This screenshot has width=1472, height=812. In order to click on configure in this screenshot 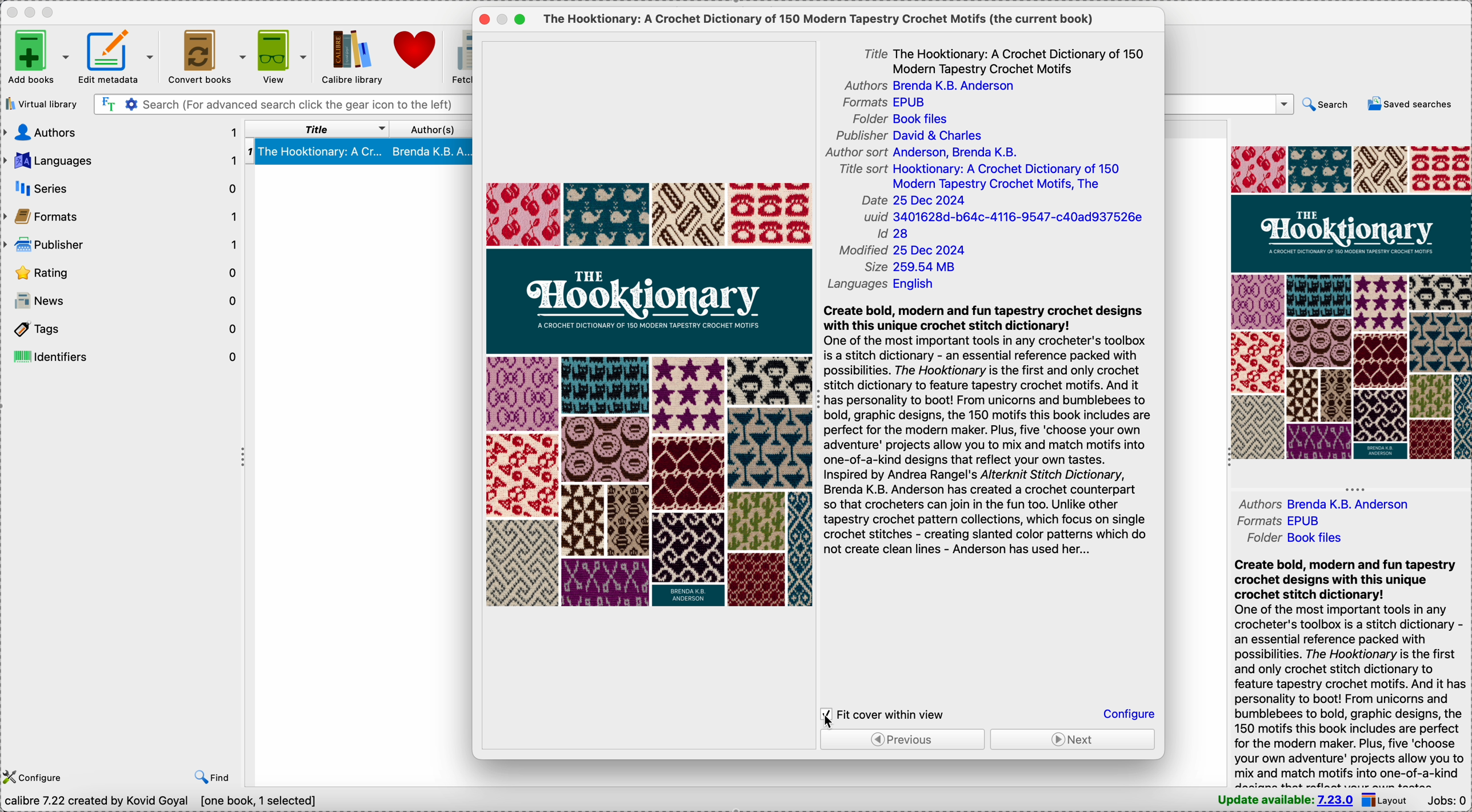, I will do `click(1126, 712)`.